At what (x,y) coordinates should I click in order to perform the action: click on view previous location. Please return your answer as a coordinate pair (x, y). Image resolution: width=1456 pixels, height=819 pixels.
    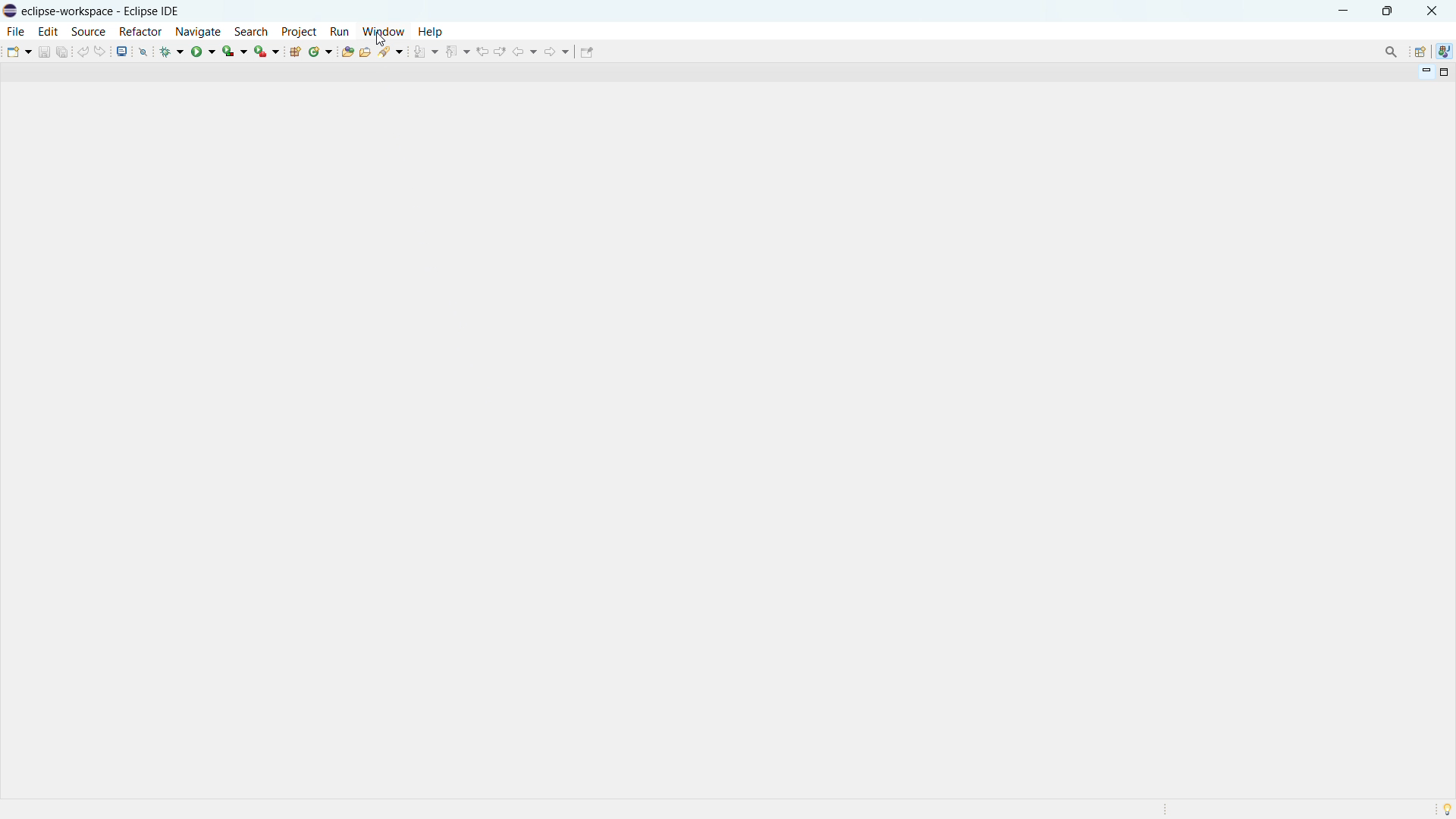
    Looking at the image, I should click on (482, 51).